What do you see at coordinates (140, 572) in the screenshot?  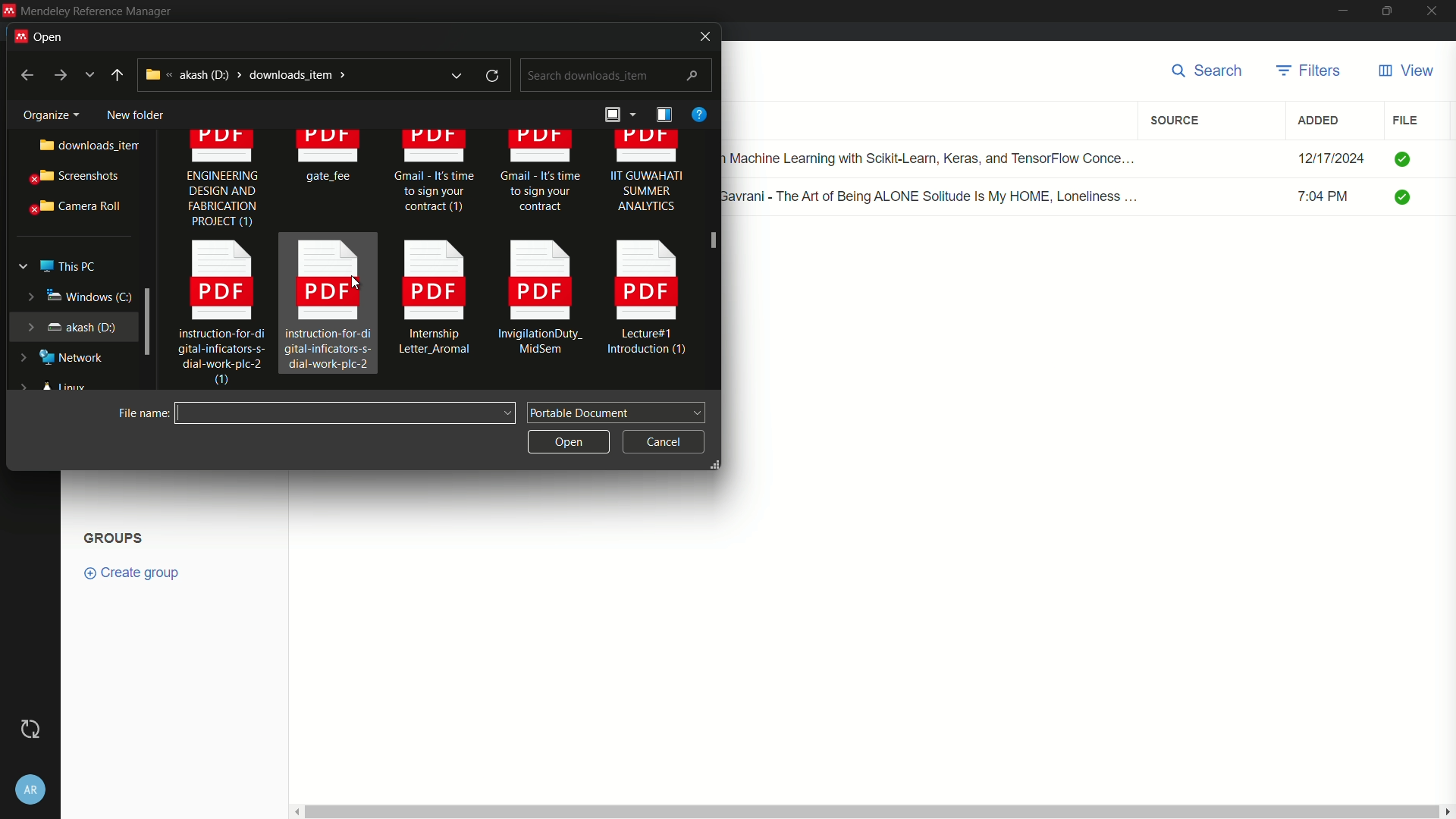 I see `create group` at bounding box center [140, 572].